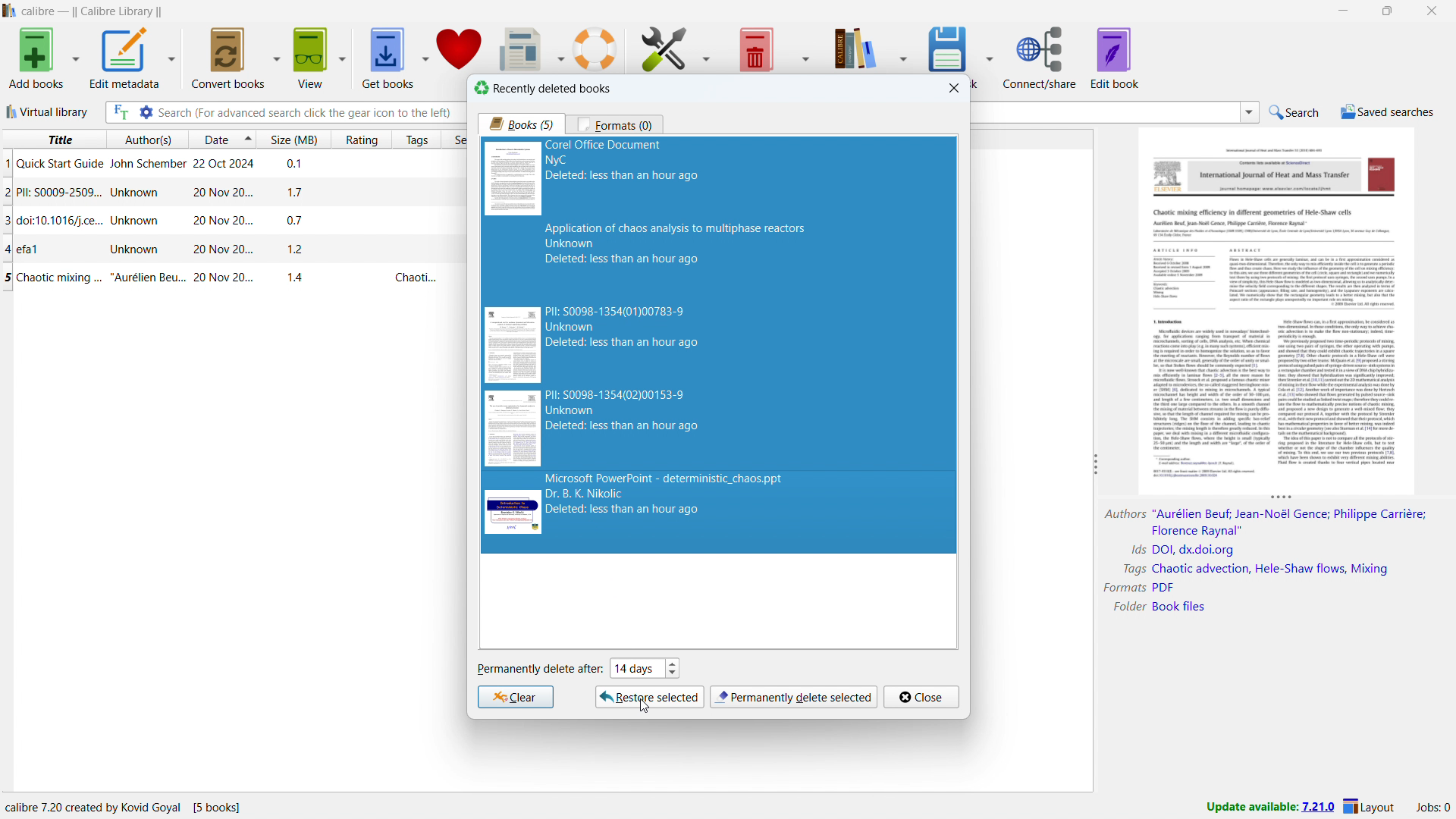  Describe the element at coordinates (362, 140) in the screenshot. I see `sort by rating` at that location.